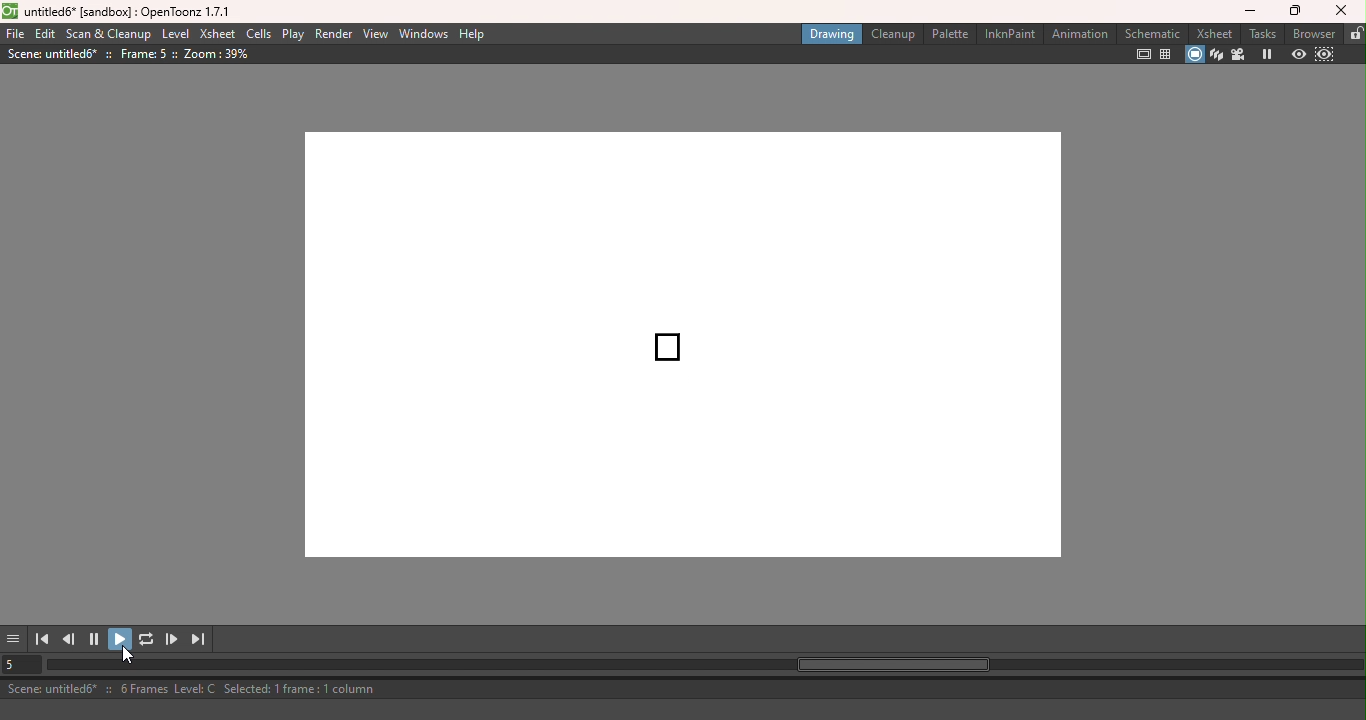  Describe the element at coordinates (219, 36) in the screenshot. I see `Xsheet` at that location.